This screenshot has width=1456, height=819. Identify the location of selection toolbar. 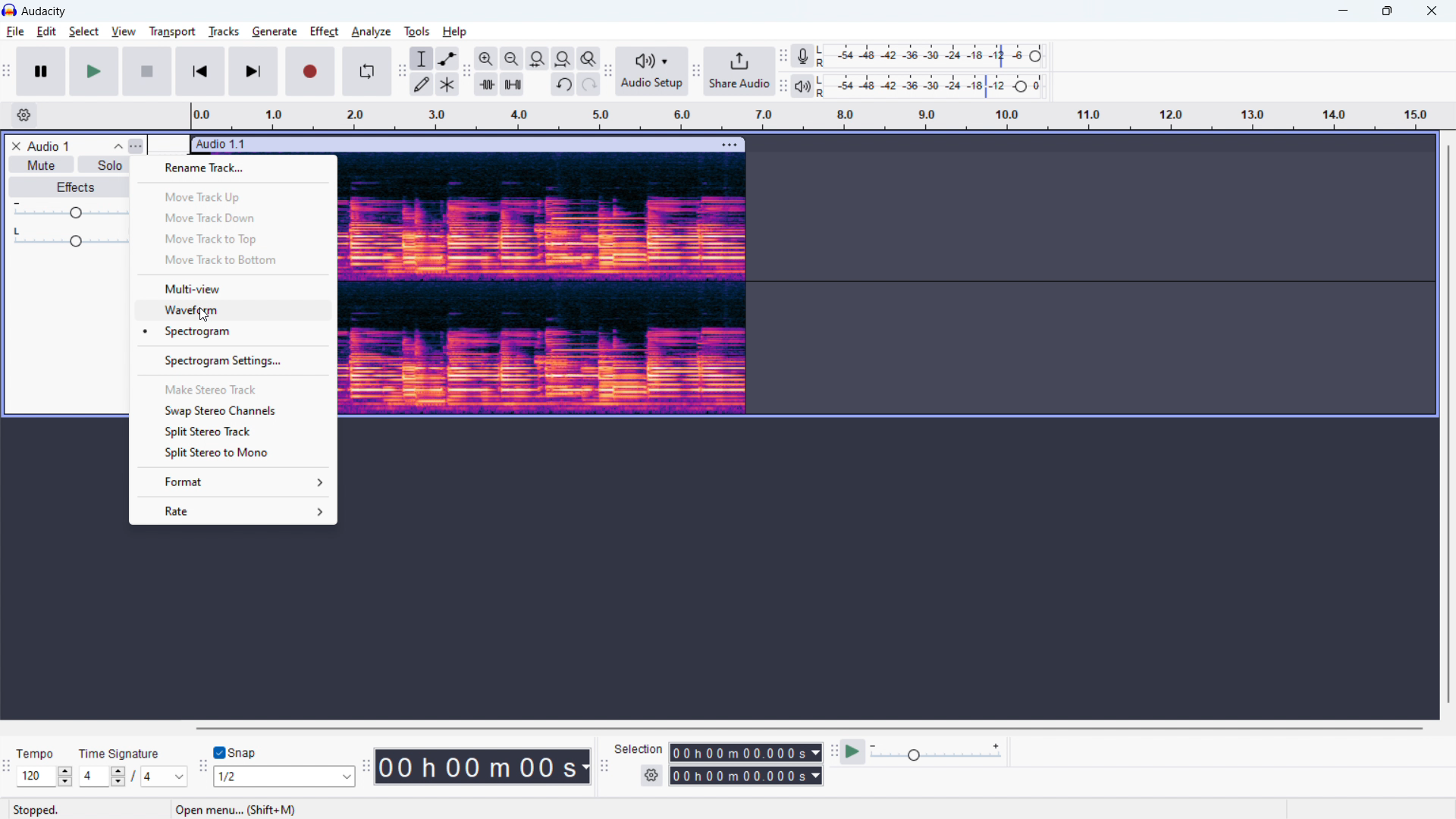
(604, 767).